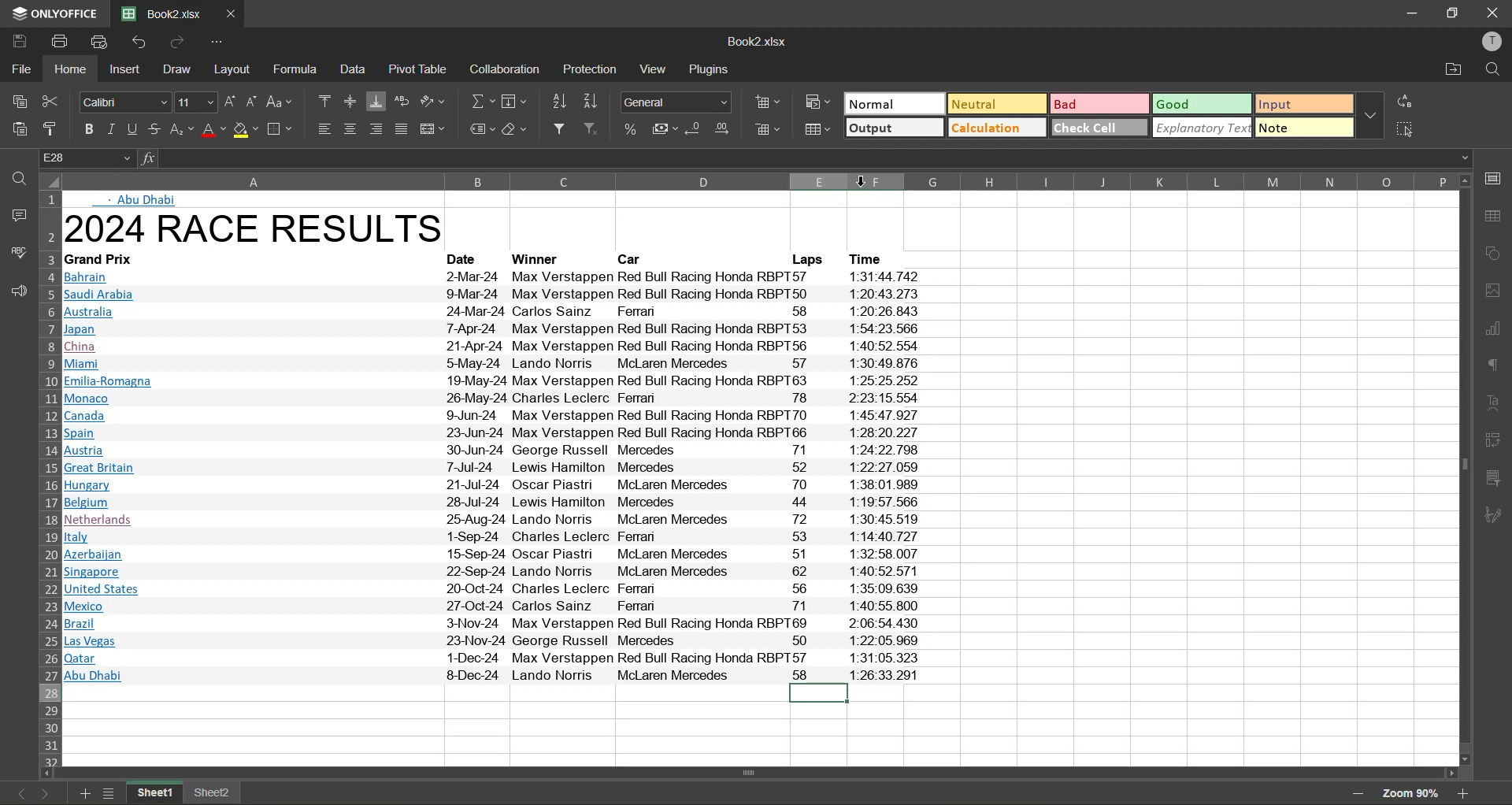 This screenshot has height=805, width=1512. I want to click on paste, so click(17, 129).